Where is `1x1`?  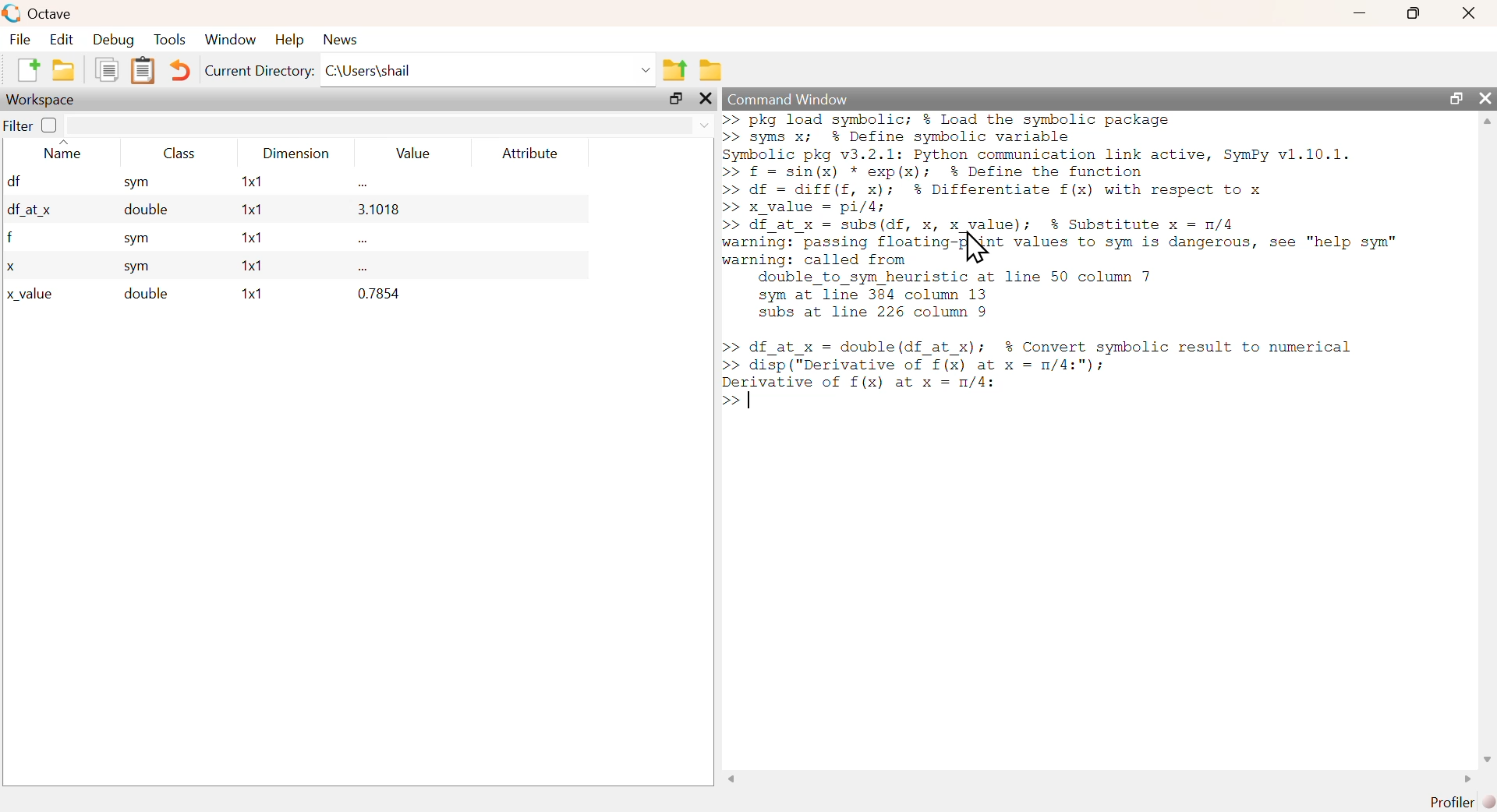 1x1 is located at coordinates (250, 294).